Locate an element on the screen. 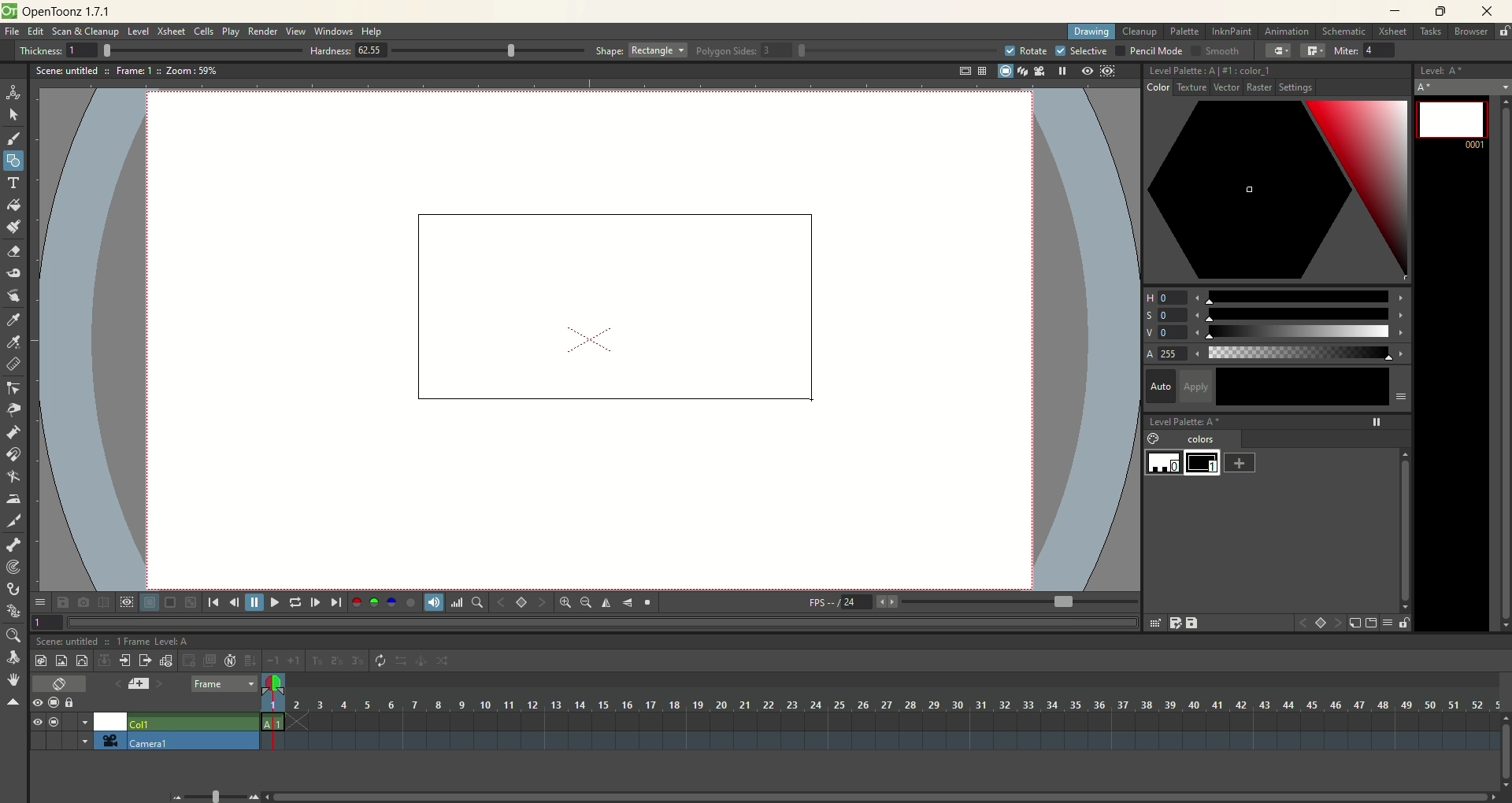 This screenshot has width=1512, height=803. animate tool is located at coordinates (13, 92).